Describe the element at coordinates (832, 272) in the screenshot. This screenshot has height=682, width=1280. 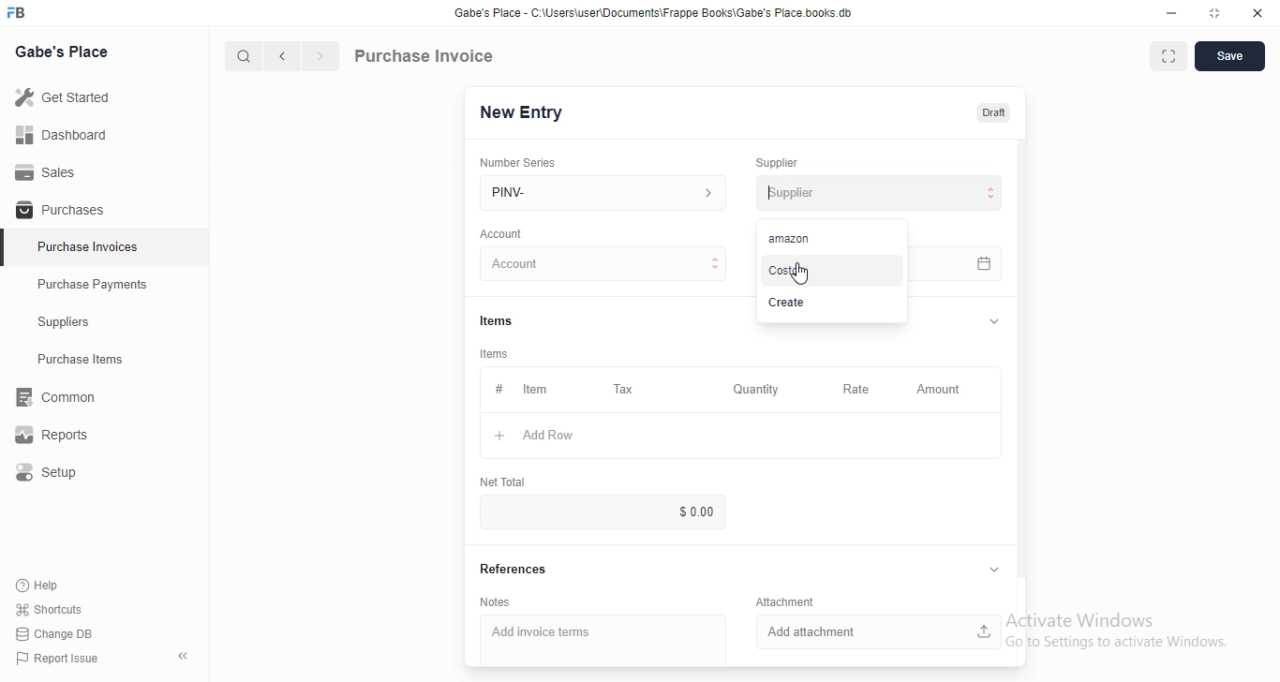
I see `Costco` at that location.